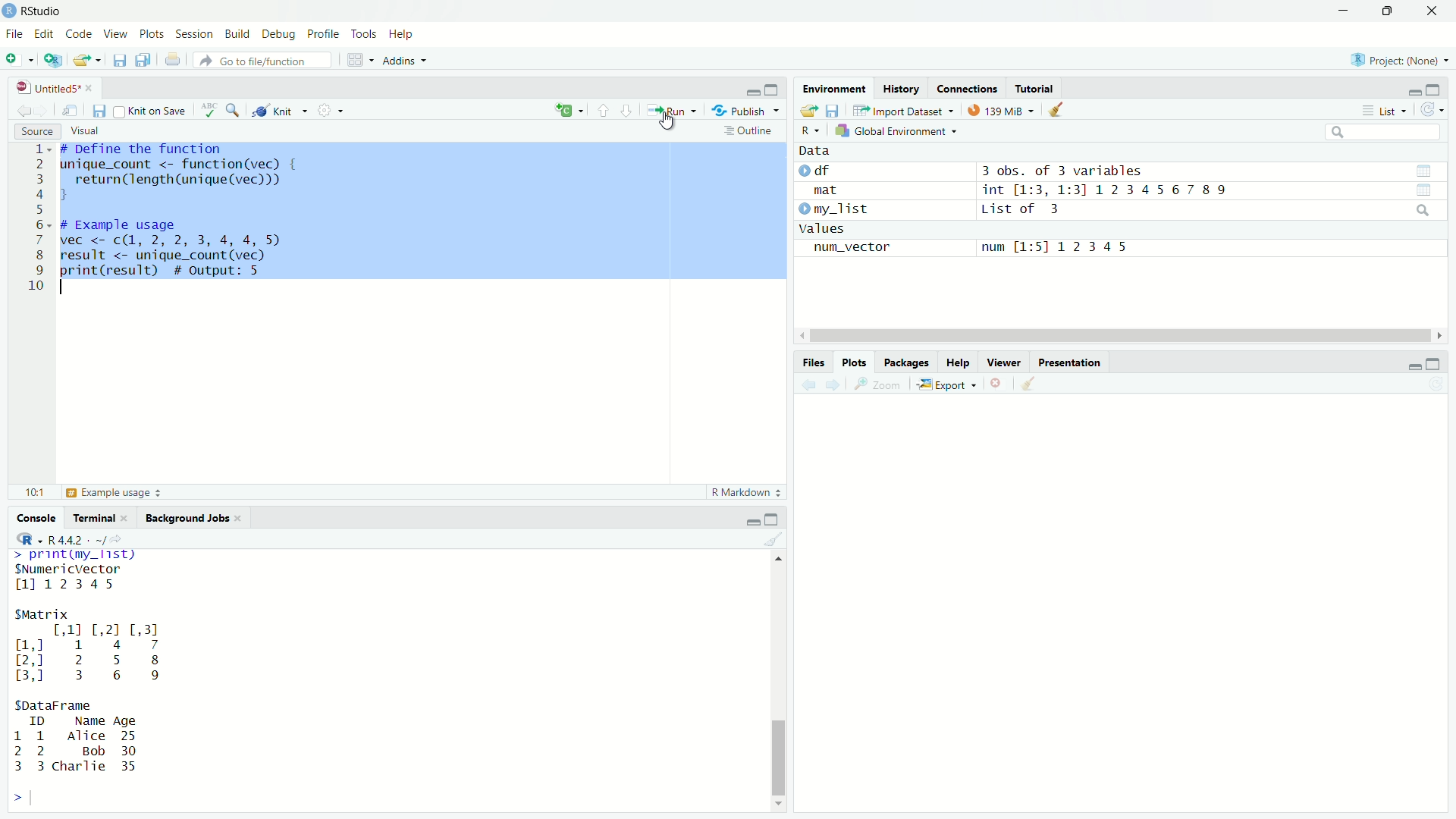 The width and height of the screenshot is (1456, 819). What do you see at coordinates (1385, 131) in the screenshot?
I see `search bar` at bounding box center [1385, 131].